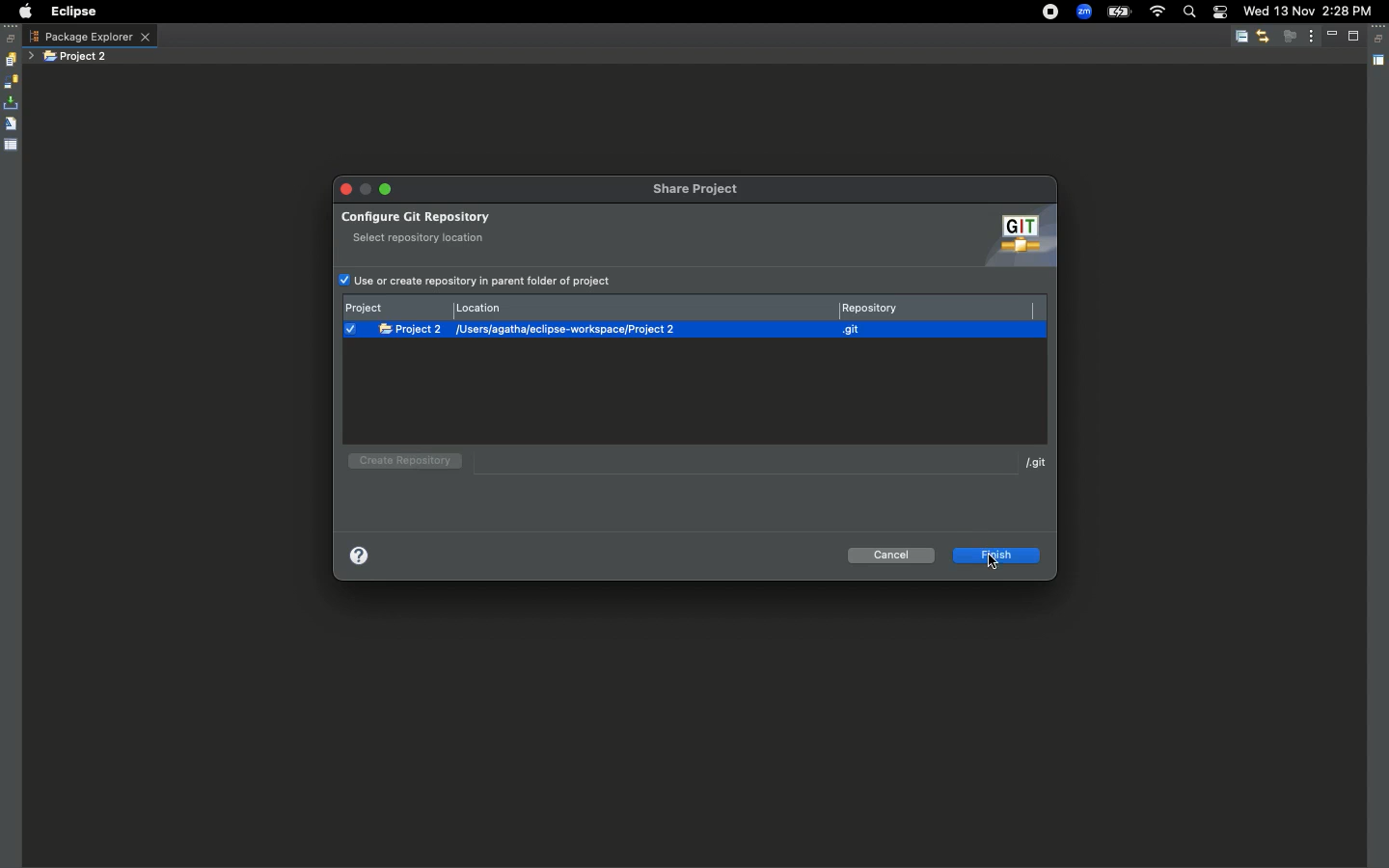 The width and height of the screenshot is (1389, 868). I want to click on /git, so click(1036, 462).